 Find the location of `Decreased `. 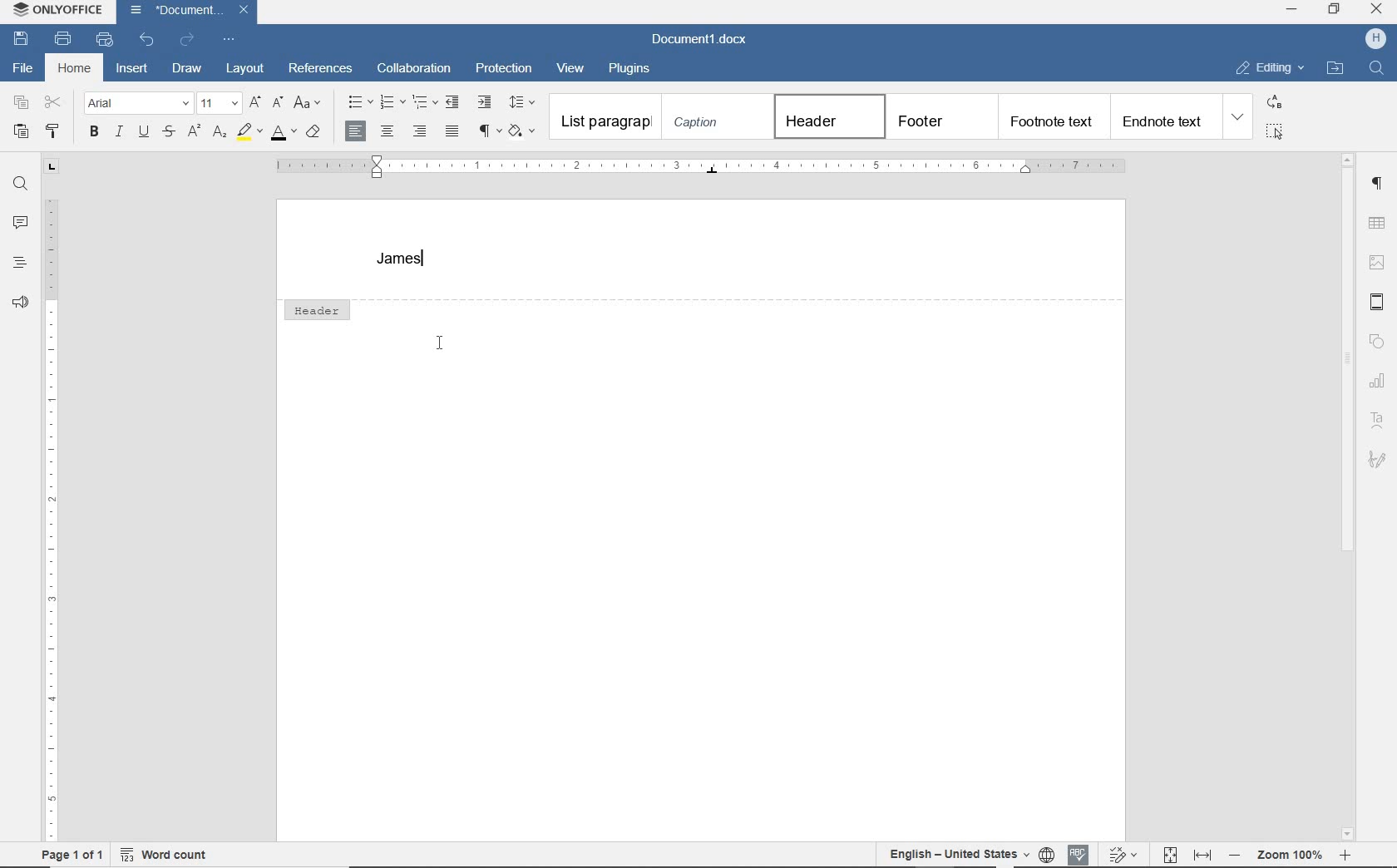

Decreased  is located at coordinates (1234, 854).